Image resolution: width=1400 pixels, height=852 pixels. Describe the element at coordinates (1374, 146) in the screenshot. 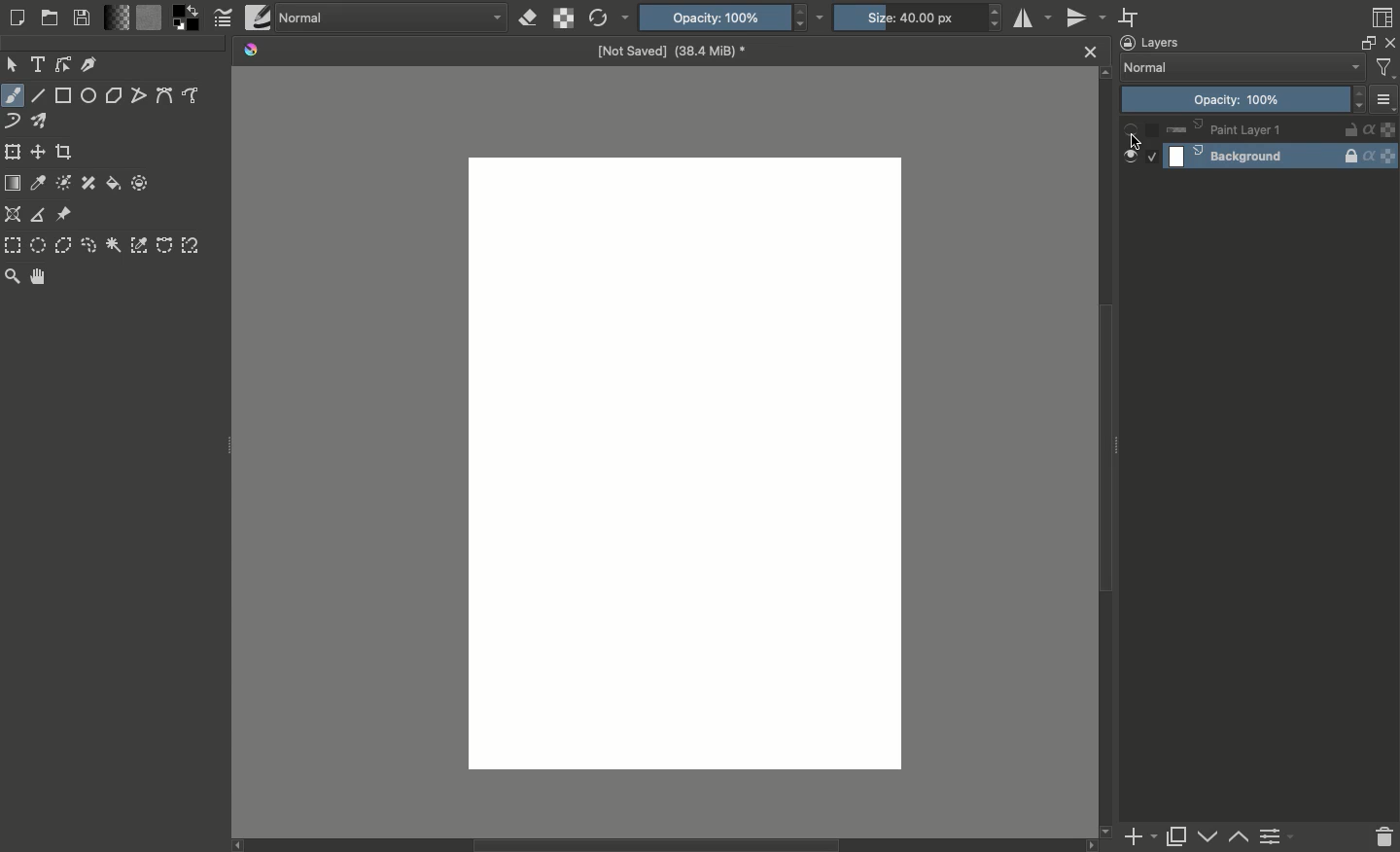

I see `Alpha` at that location.